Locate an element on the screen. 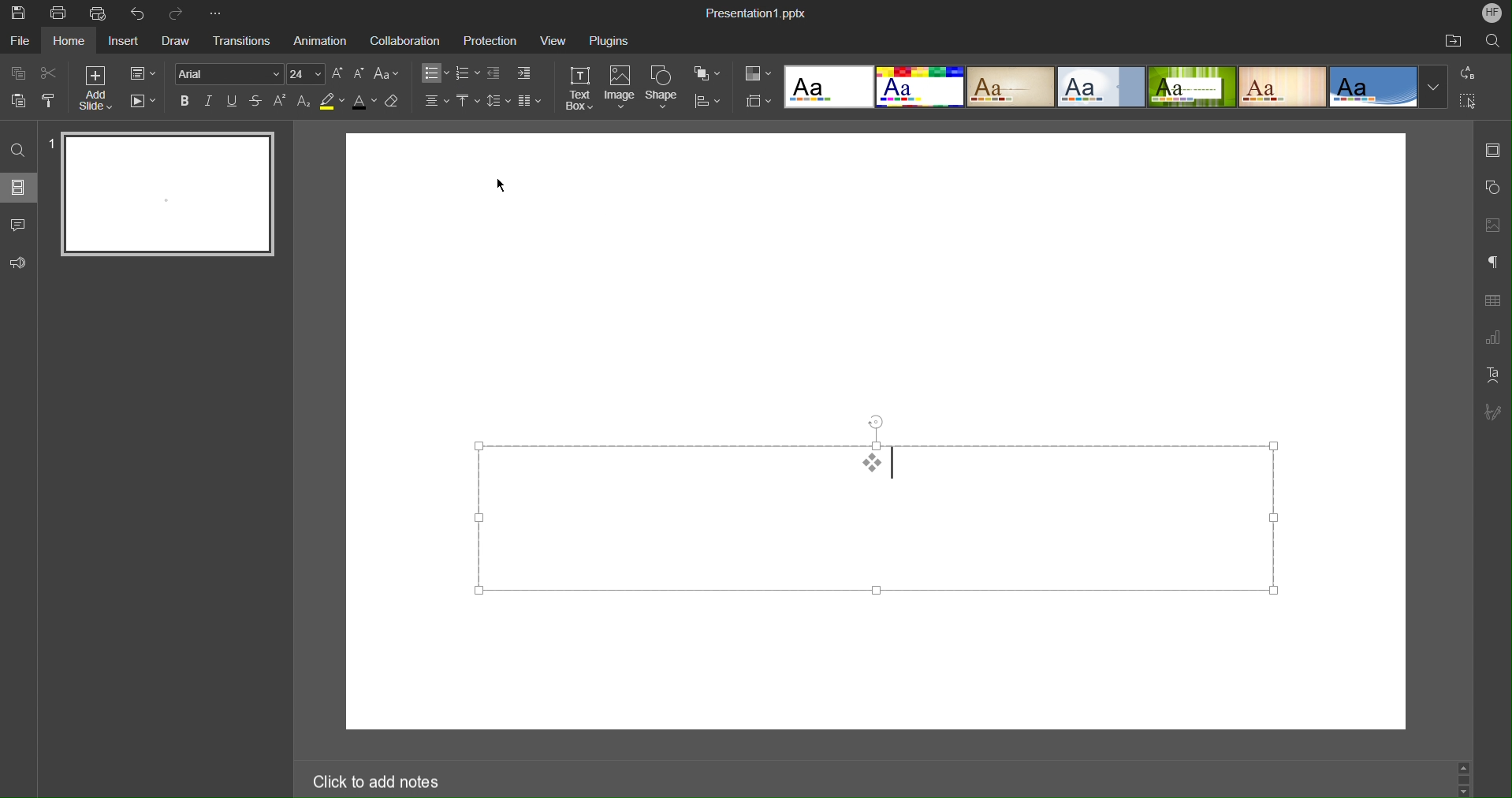 The width and height of the screenshot is (1512, 798). Change Case is located at coordinates (385, 74).